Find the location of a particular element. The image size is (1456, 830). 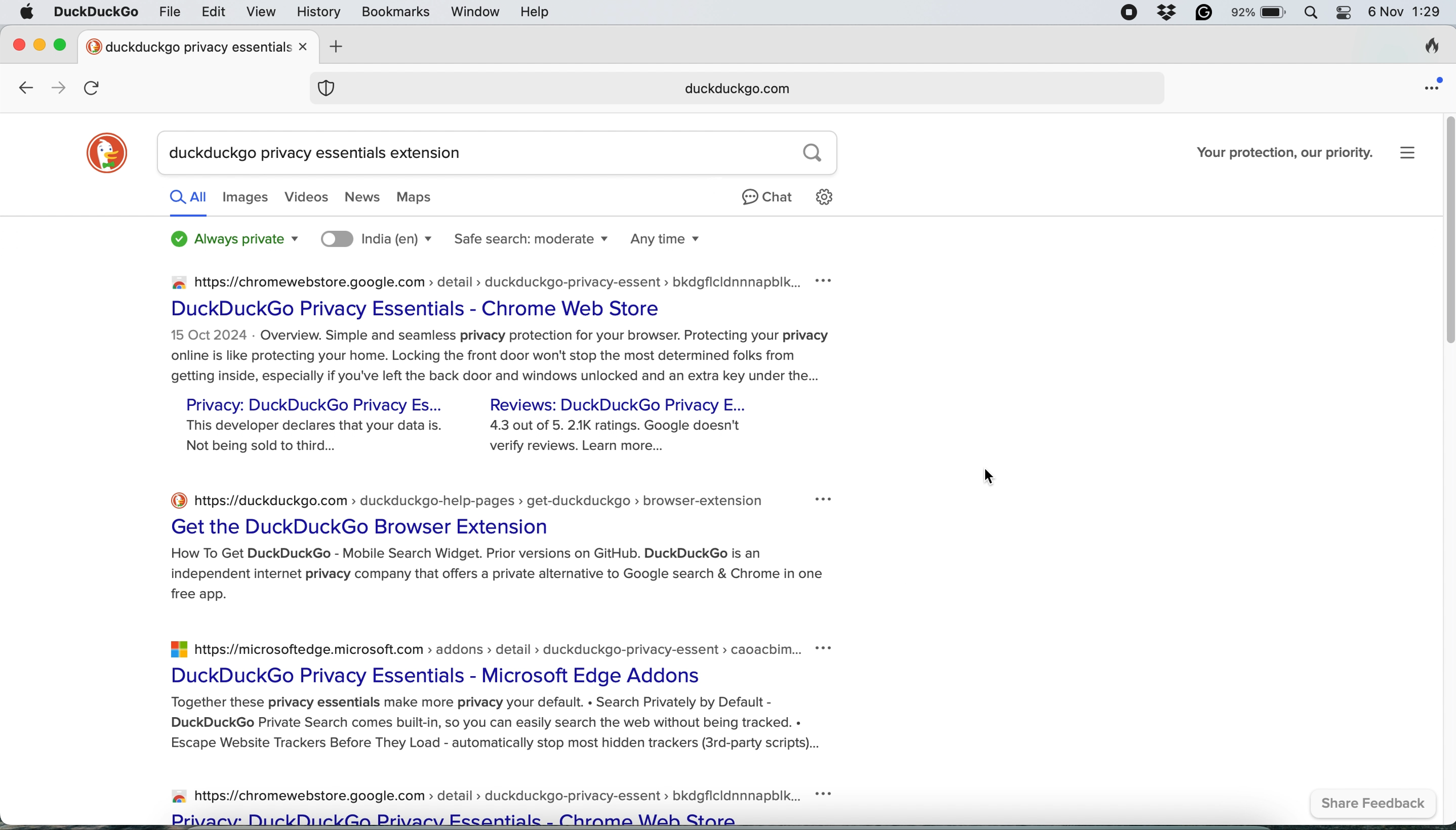

search button is located at coordinates (812, 152).